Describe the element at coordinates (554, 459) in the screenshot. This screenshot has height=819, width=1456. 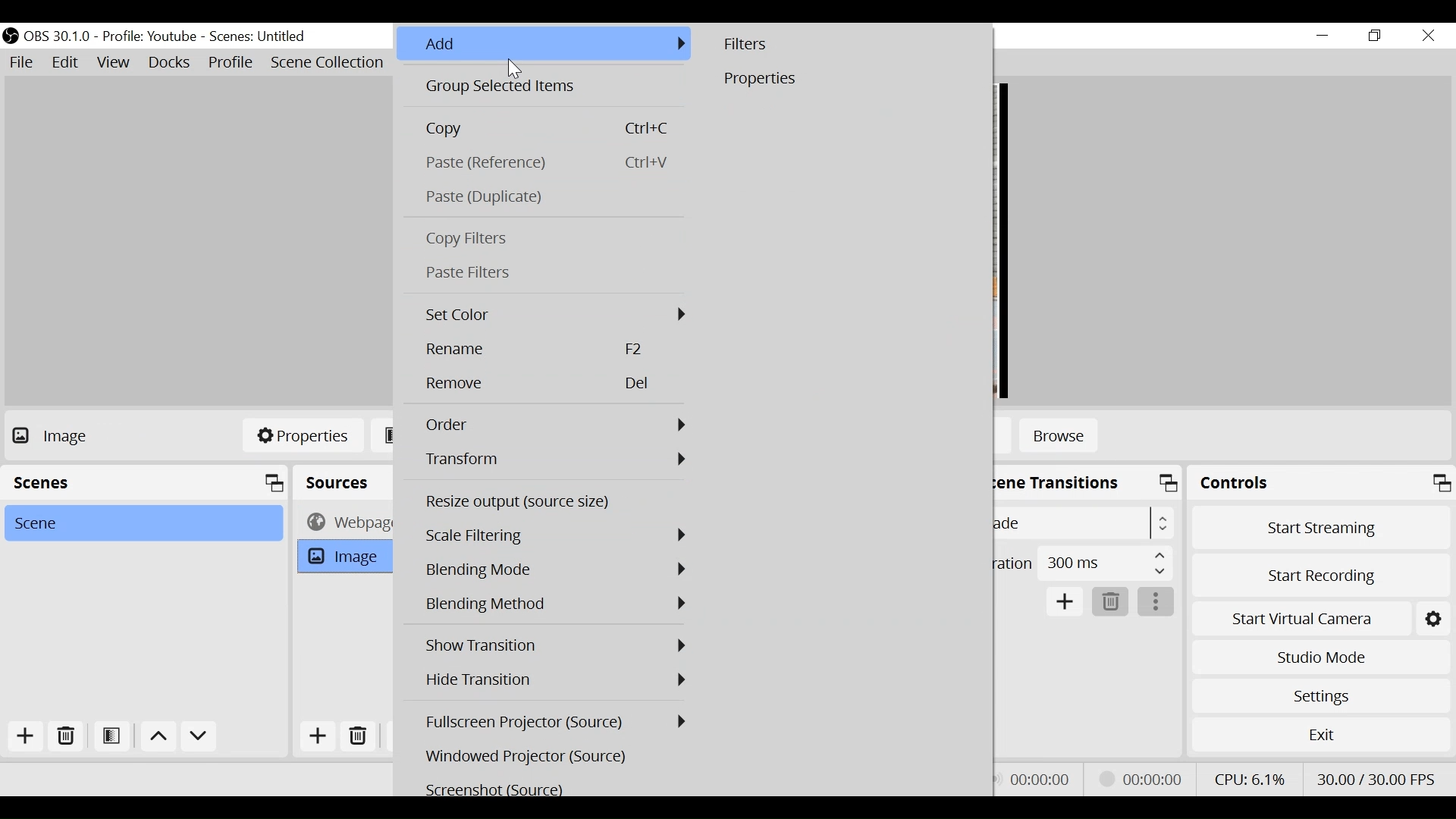
I see `Transform` at that location.